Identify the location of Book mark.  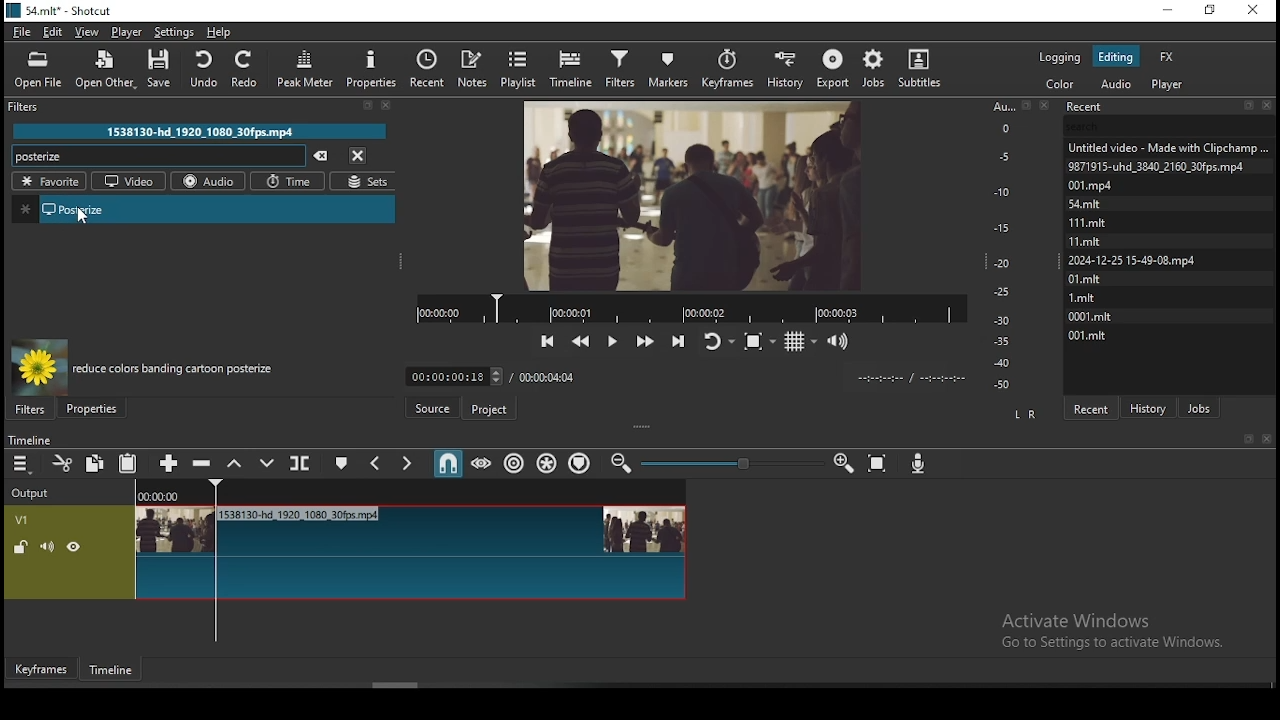
(1245, 439).